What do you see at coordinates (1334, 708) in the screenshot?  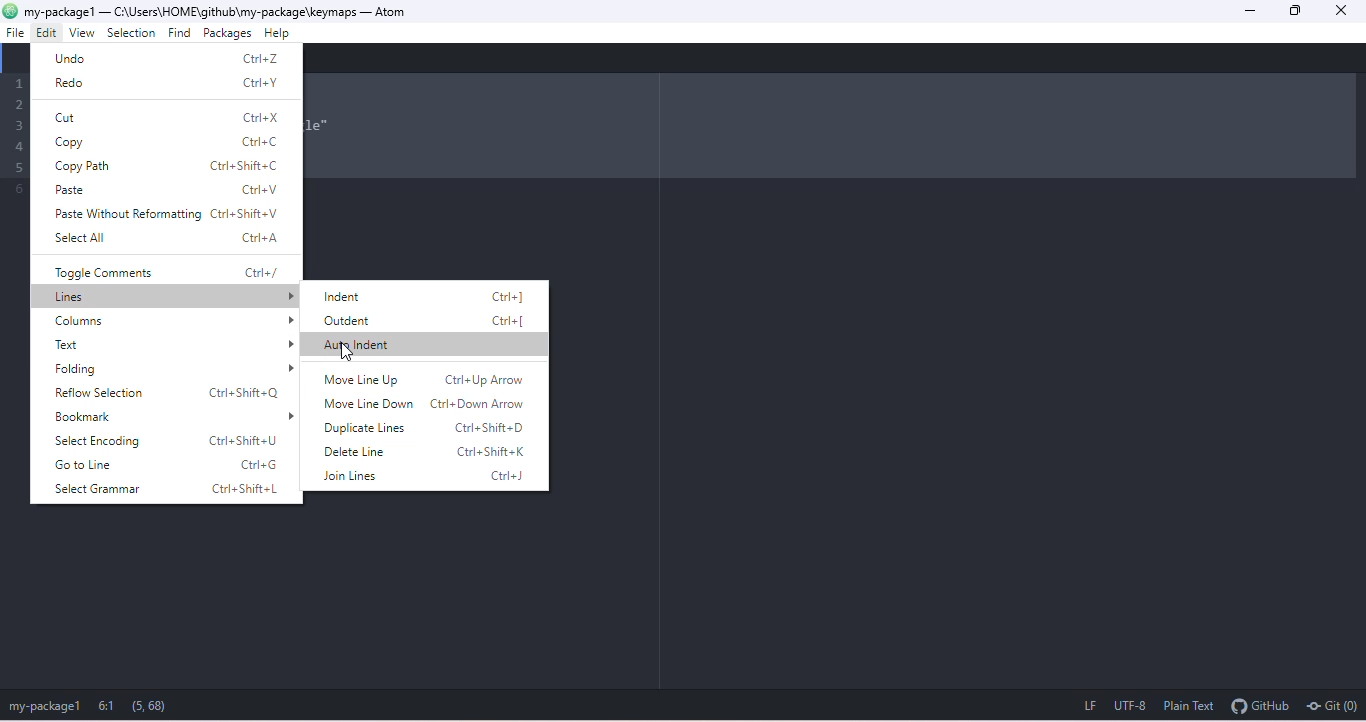 I see `git (0)` at bounding box center [1334, 708].